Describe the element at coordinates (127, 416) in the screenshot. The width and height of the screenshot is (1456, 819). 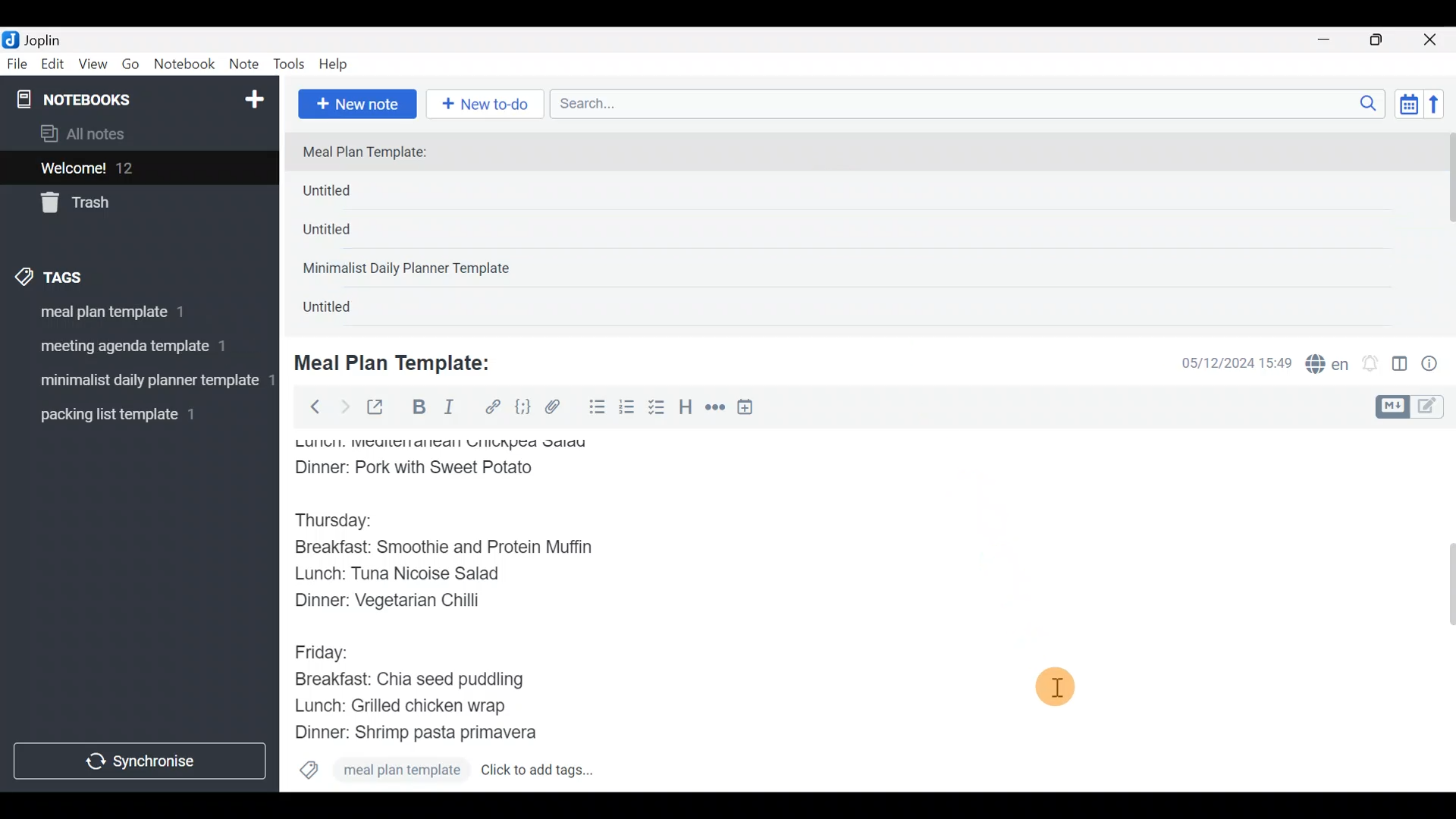
I see `Tag 4` at that location.